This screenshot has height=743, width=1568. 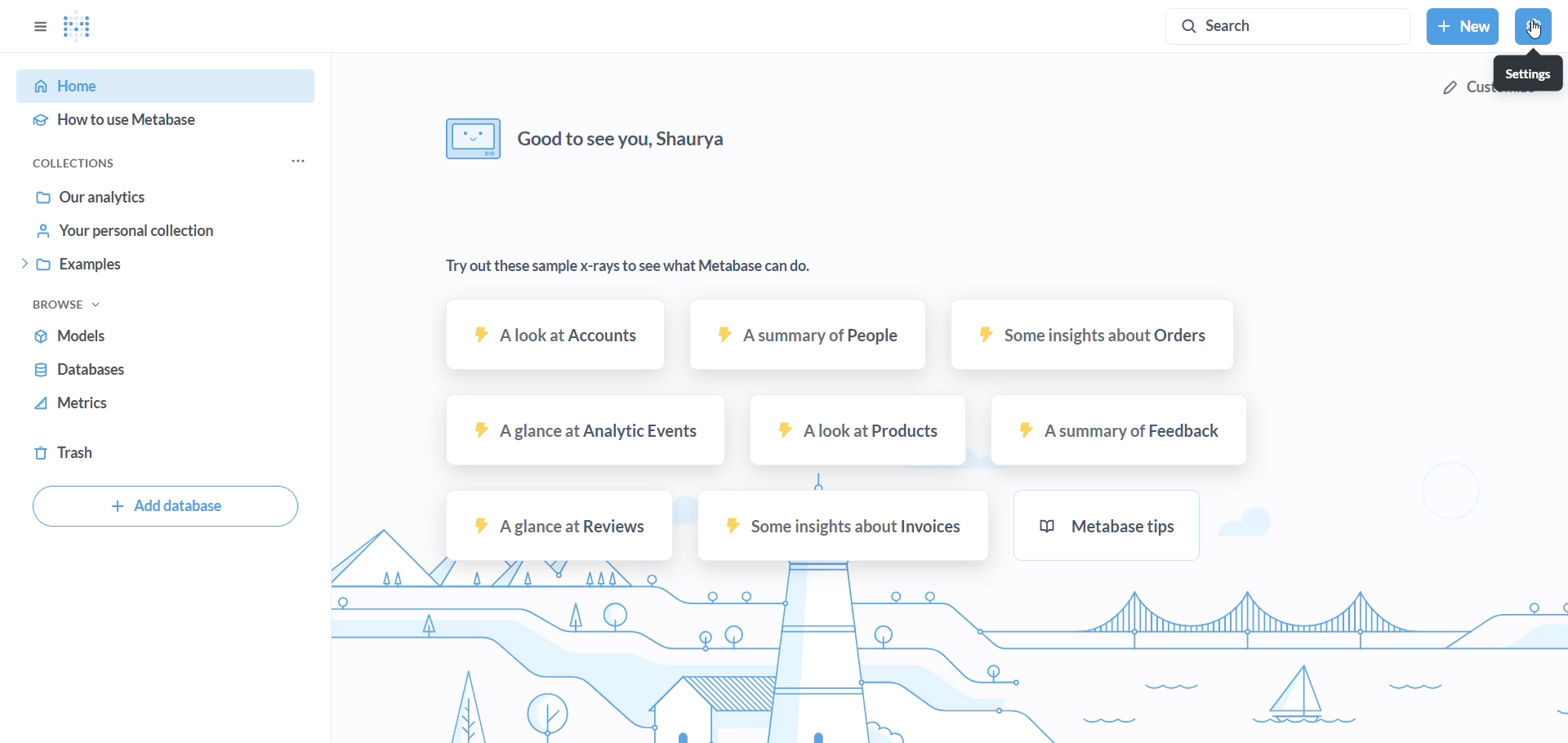 What do you see at coordinates (141, 265) in the screenshot?
I see `examples` at bounding box center [141, 265].